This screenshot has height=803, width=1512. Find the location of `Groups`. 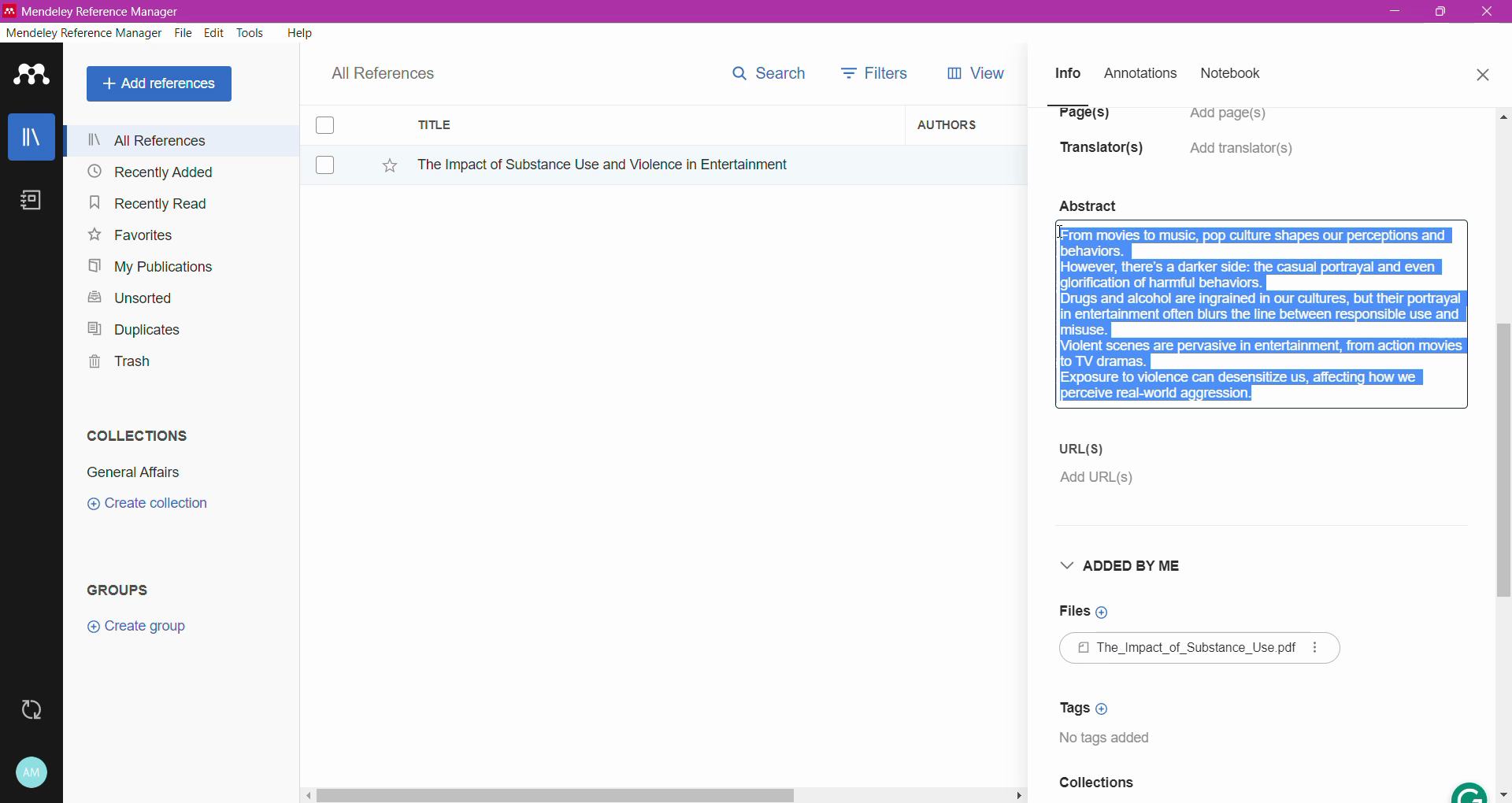

Groups is located at coordinates (124, 589).